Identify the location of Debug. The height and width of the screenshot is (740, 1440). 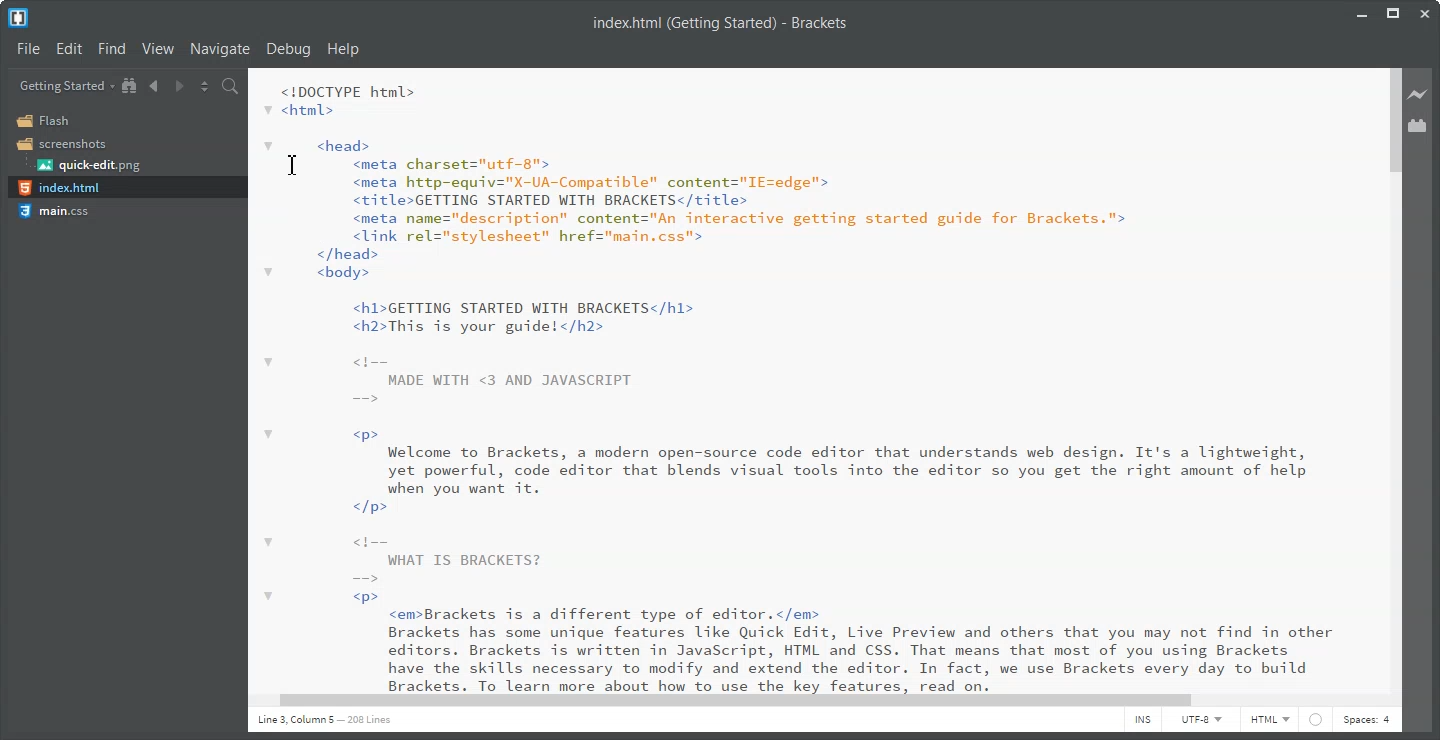
(288, 50).